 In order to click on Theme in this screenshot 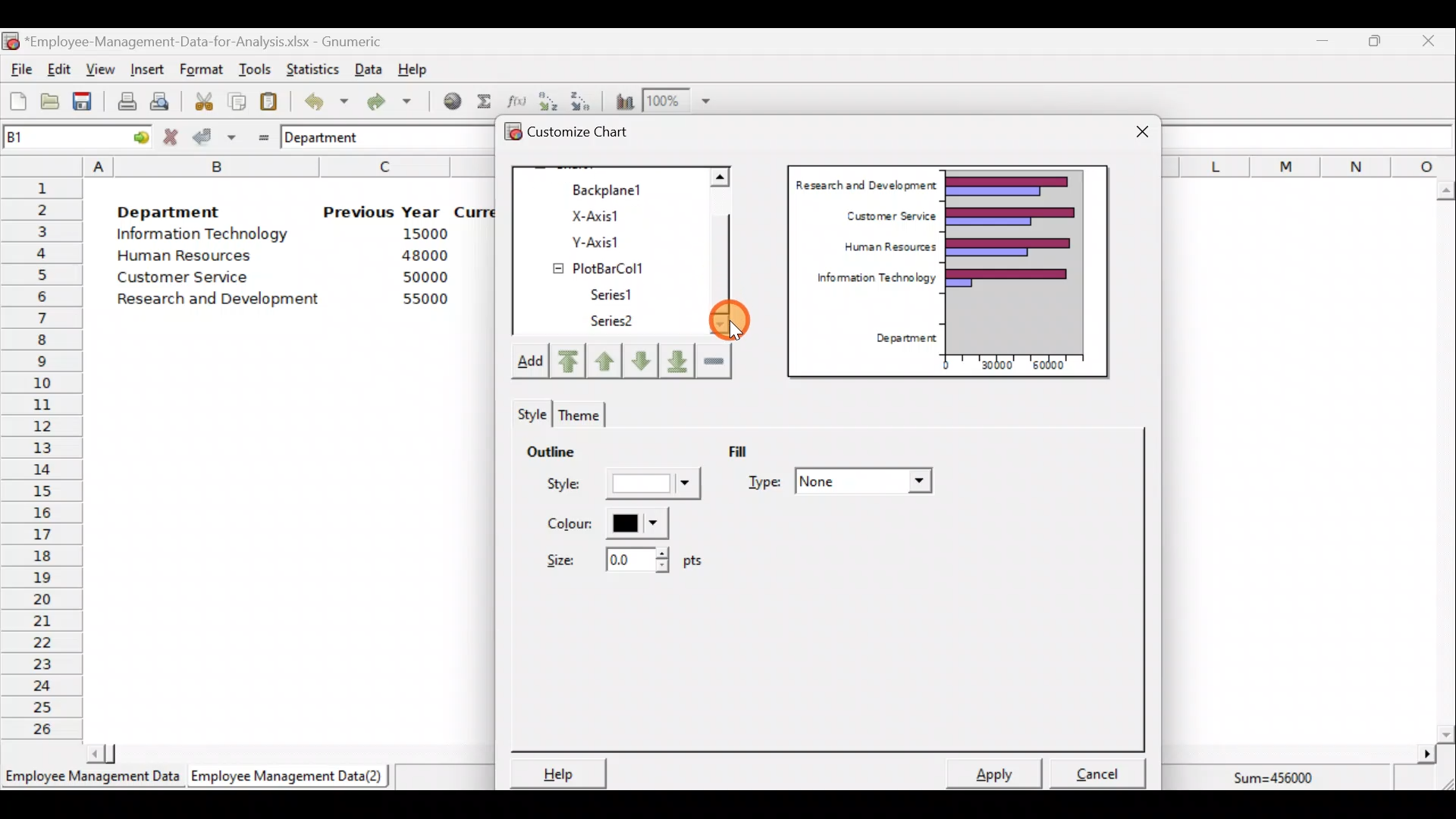, I will do `click(576, 415)`.